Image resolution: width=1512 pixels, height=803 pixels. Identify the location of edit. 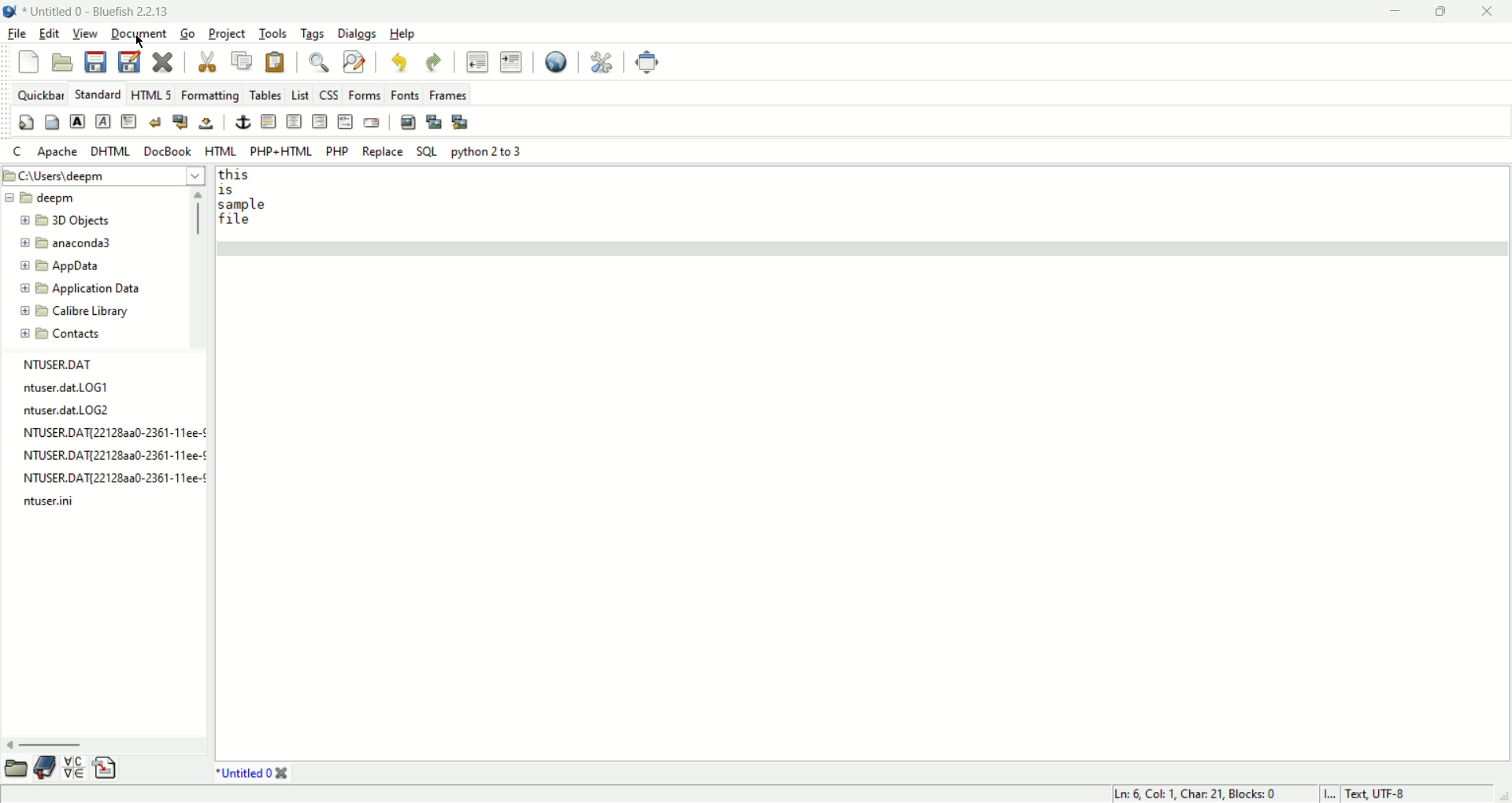
(50, 33).